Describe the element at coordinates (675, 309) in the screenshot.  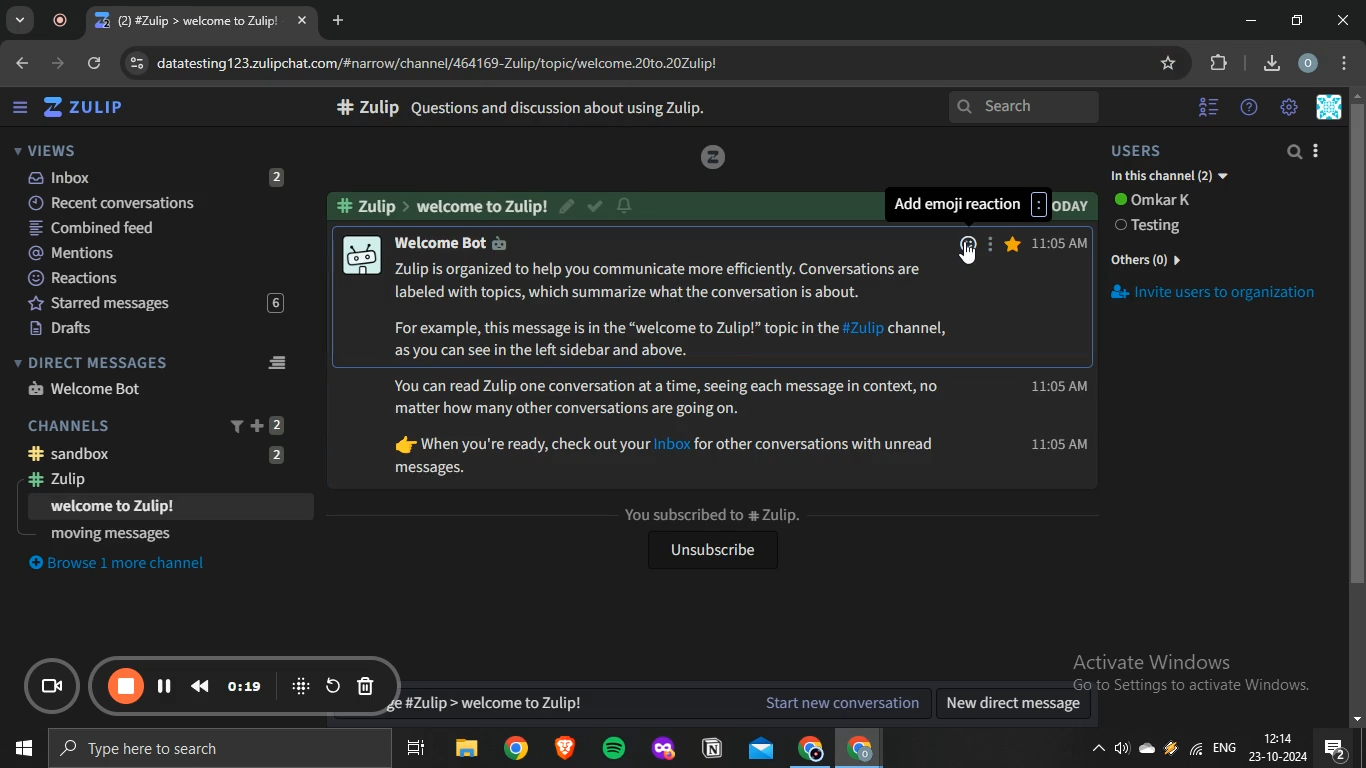
I see `zulip and channel descriptions ` at that location.